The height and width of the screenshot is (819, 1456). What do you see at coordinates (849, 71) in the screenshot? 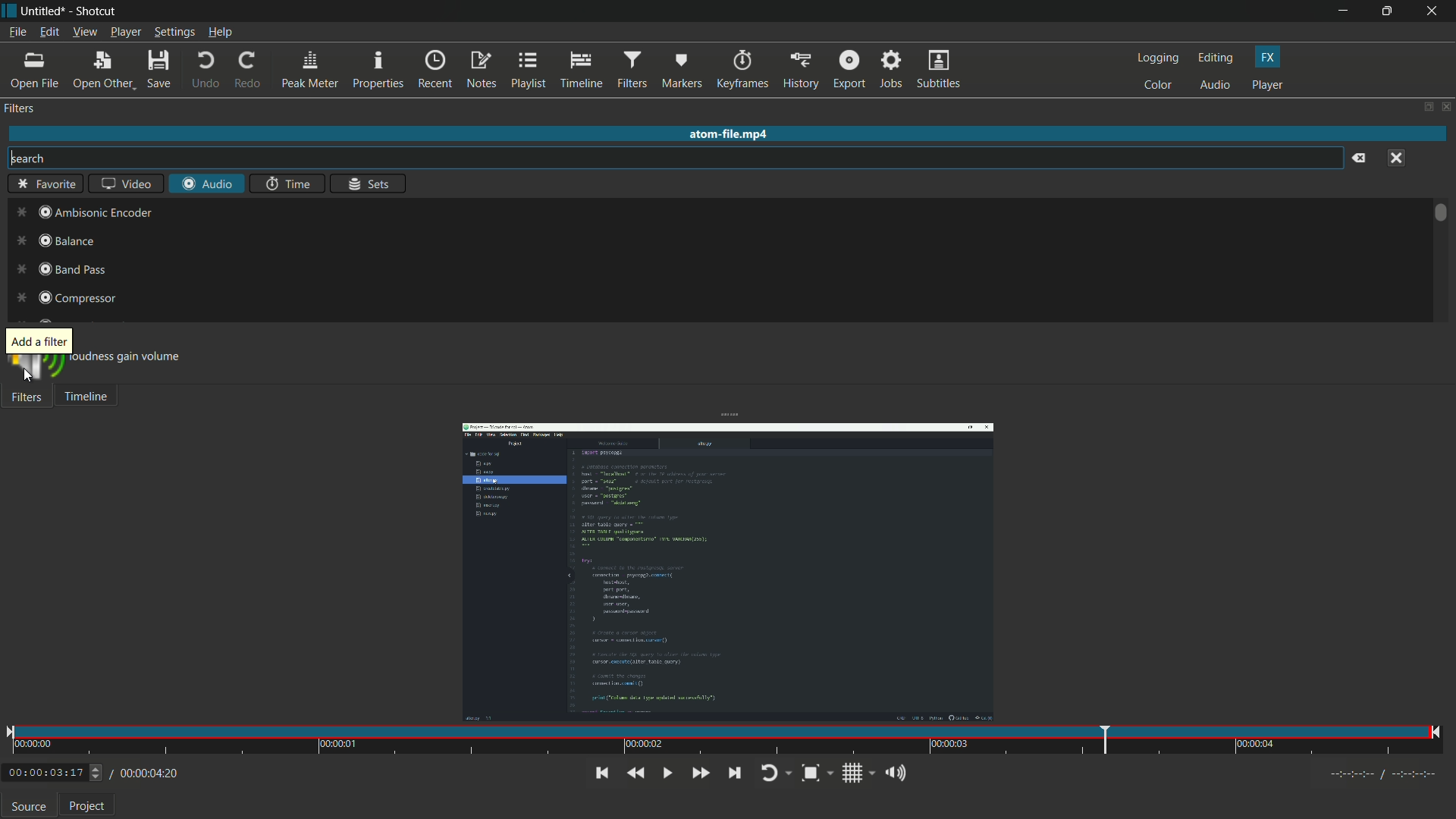
I see `export` at bounding box center [849, 71].